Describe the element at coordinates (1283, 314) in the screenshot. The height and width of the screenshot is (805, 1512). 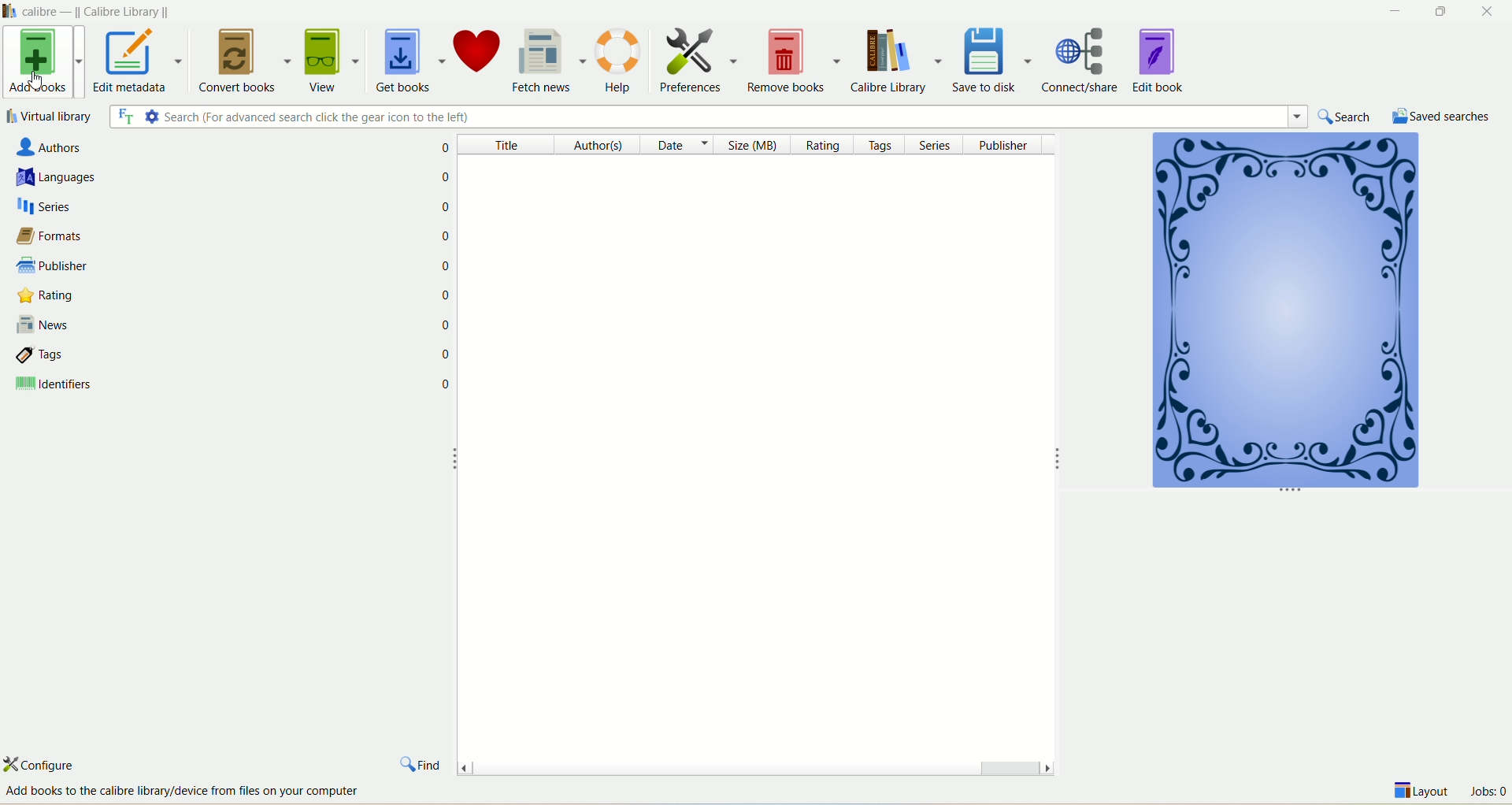
I see `book` at that location.